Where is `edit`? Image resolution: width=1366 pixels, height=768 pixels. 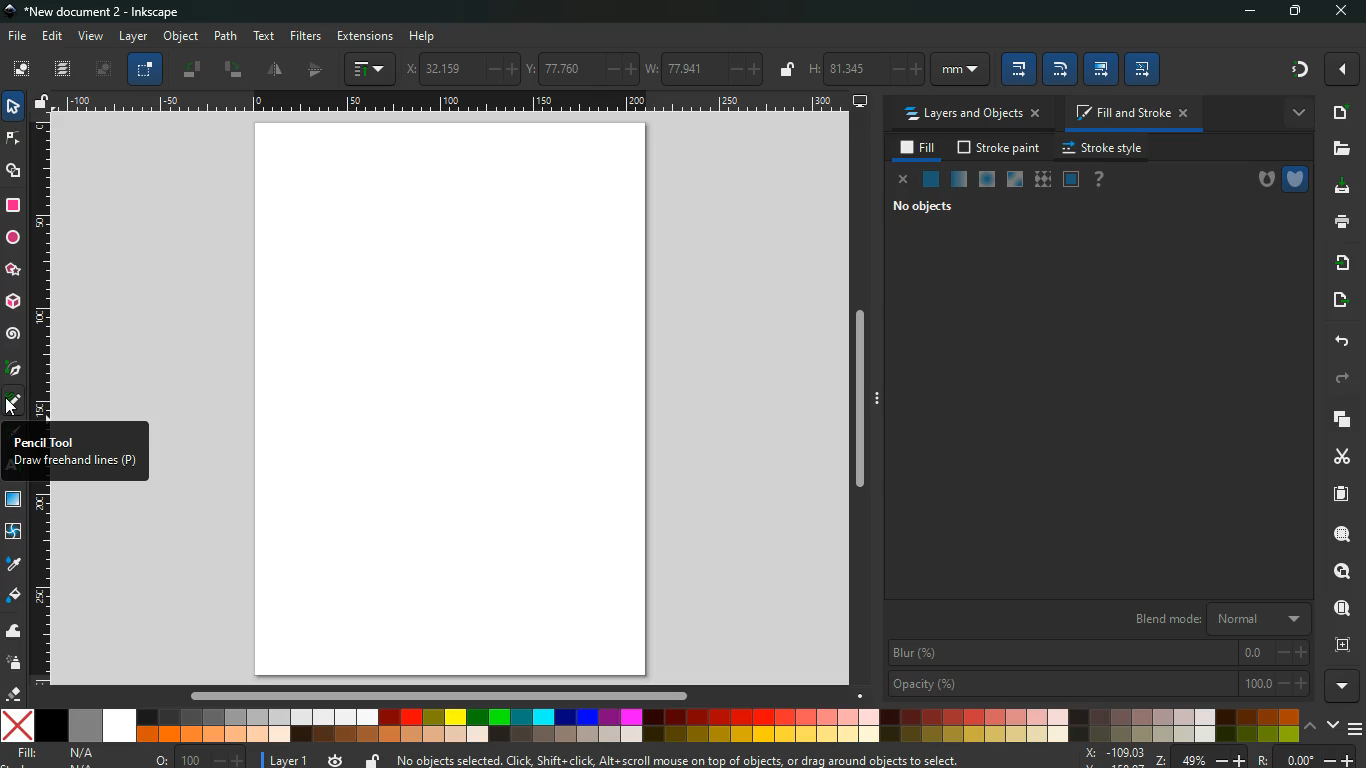 edit is located at coordinates (54, 35).